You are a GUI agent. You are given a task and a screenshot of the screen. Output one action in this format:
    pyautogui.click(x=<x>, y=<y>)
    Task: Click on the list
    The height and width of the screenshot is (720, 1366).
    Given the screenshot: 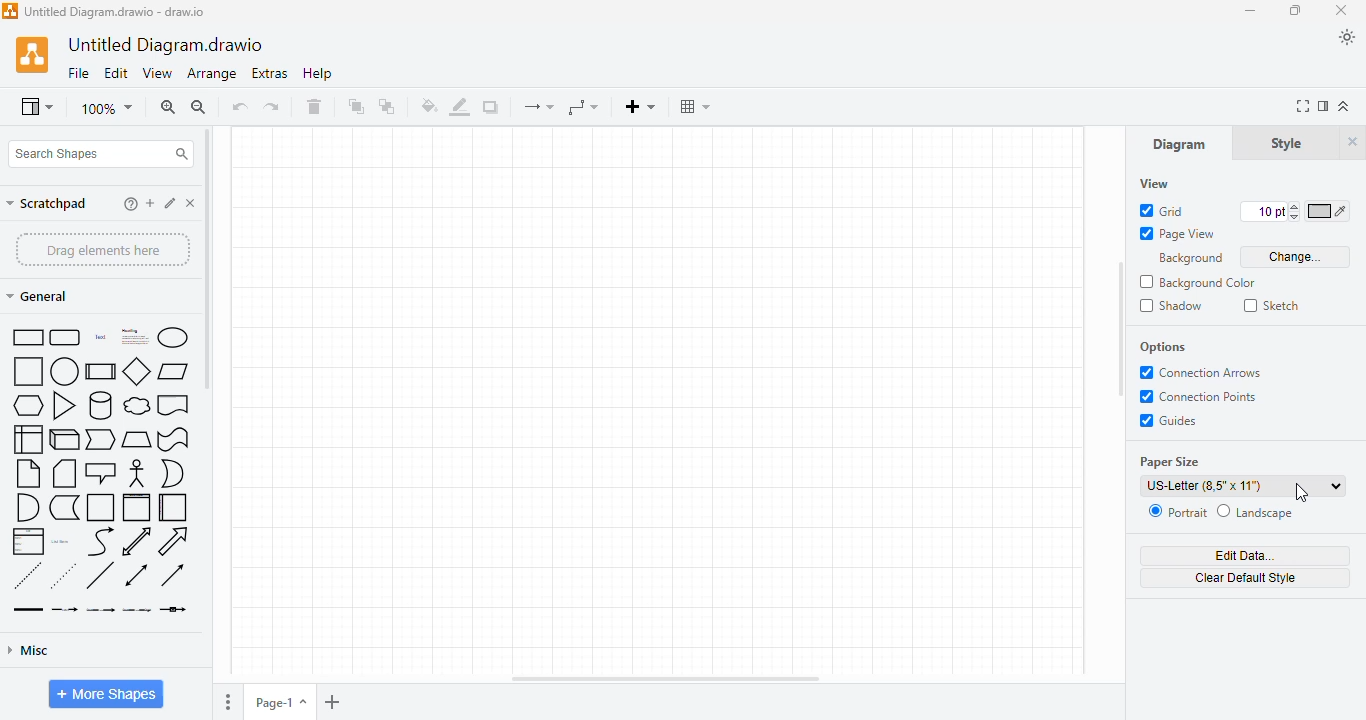 What is the action you would take?
    pyautogui.click(x=28, y=541)
    